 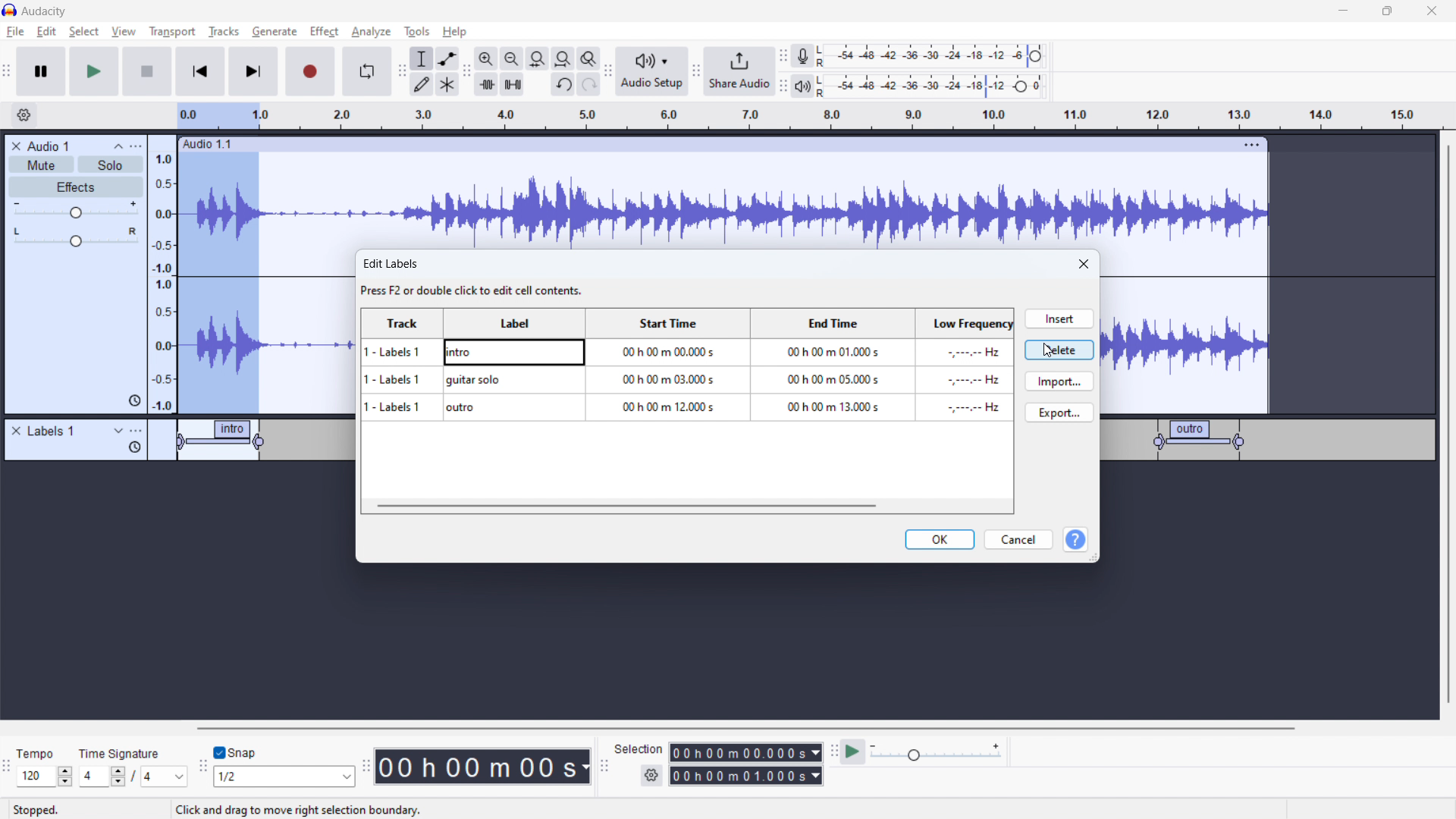 I want to click on recording meter, so click(x=803, y=56).